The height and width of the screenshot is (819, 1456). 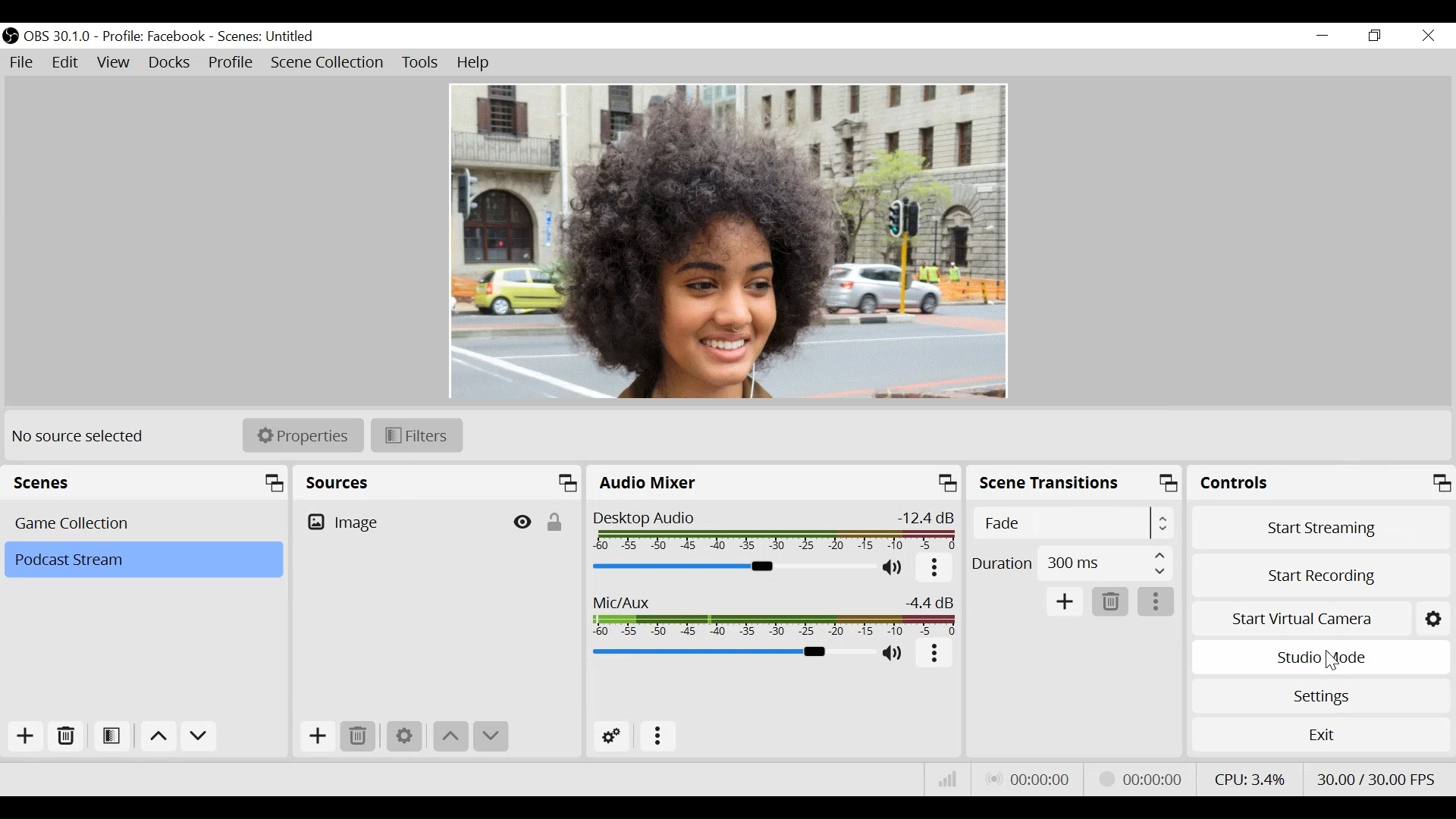 What do you see at coordinates (1375, 777) in the screenshot?
I see `Frame Per Second` at bounding box center [1375, 777].